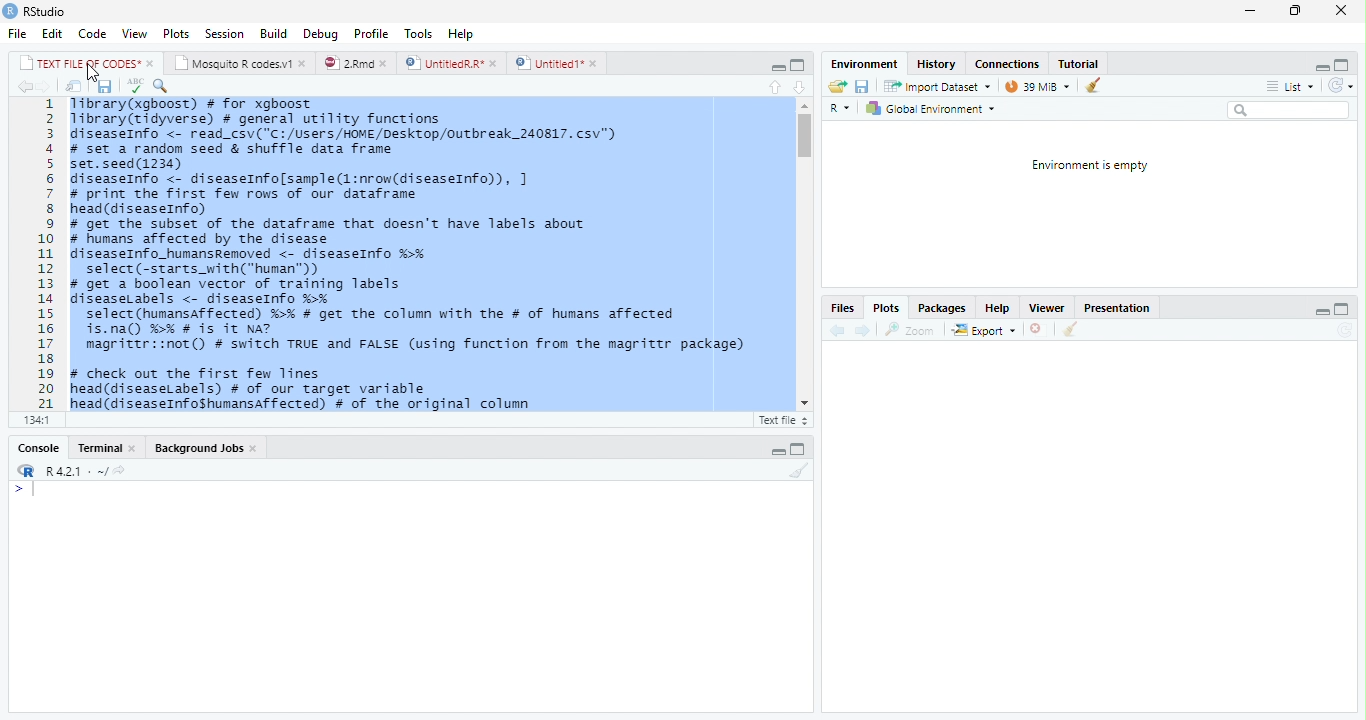 Image resolution: width=1366 pixels, height=720 pixels. What do you see at coordinates (70, 86) in the screenshot?
I see `Show in new window` at bounding box center [70, 86].